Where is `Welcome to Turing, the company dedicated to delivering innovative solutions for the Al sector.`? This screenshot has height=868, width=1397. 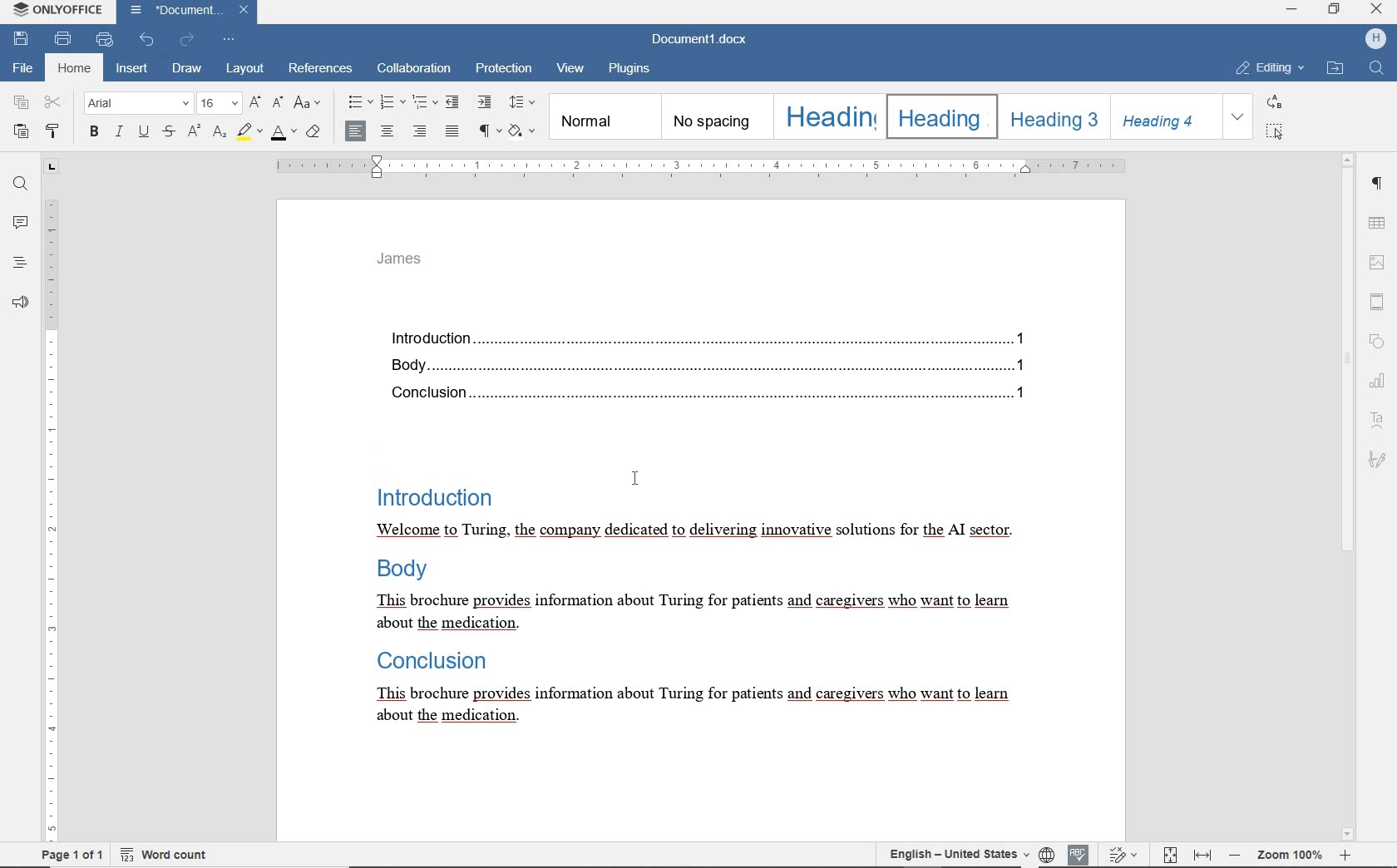 Welcome to Turing, the company dedicated to delivering innovative solutions for the Al sector. is located at coordinates (685, 530).